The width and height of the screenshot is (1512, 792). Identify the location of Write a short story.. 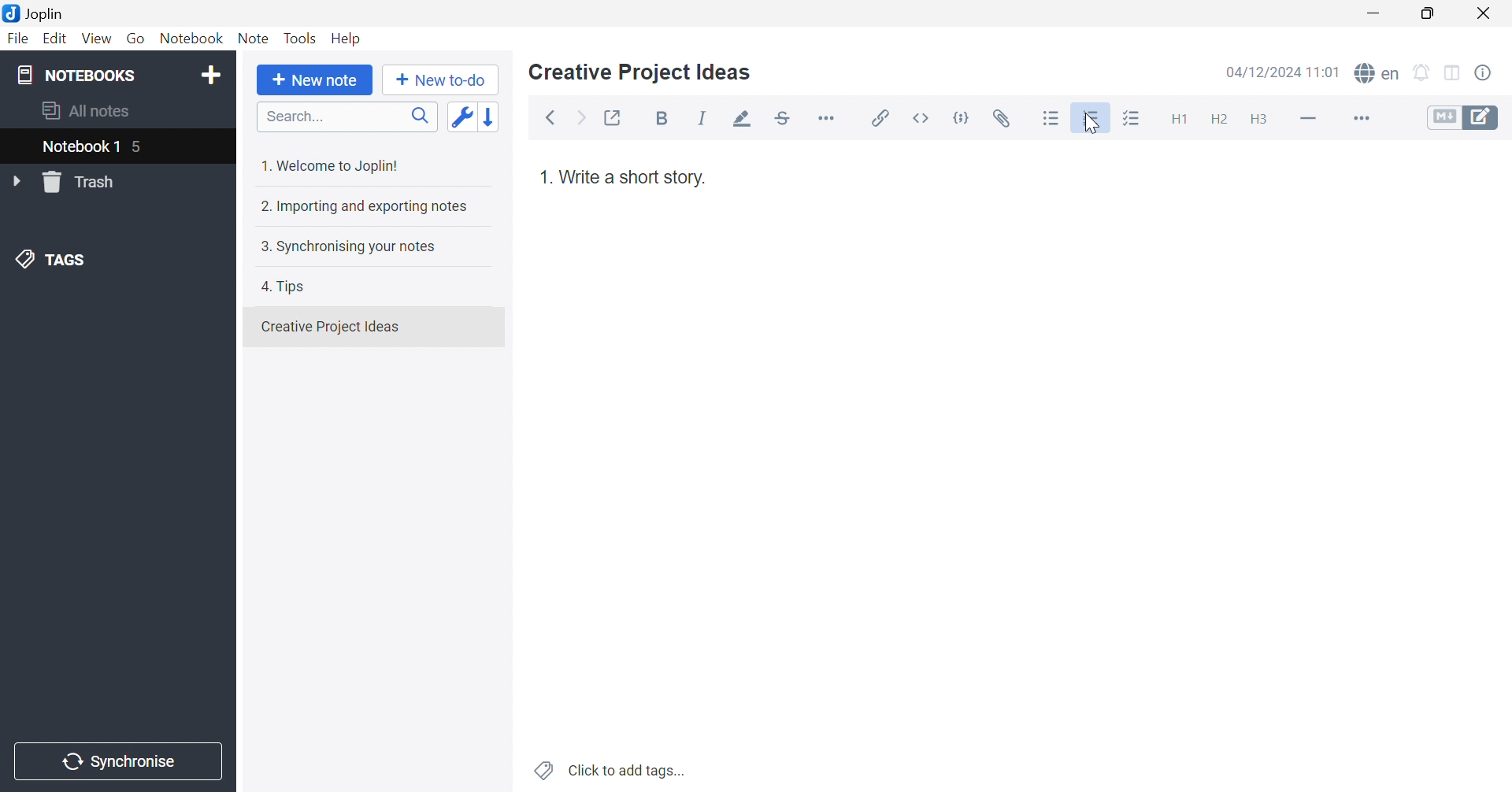
(632, 177).